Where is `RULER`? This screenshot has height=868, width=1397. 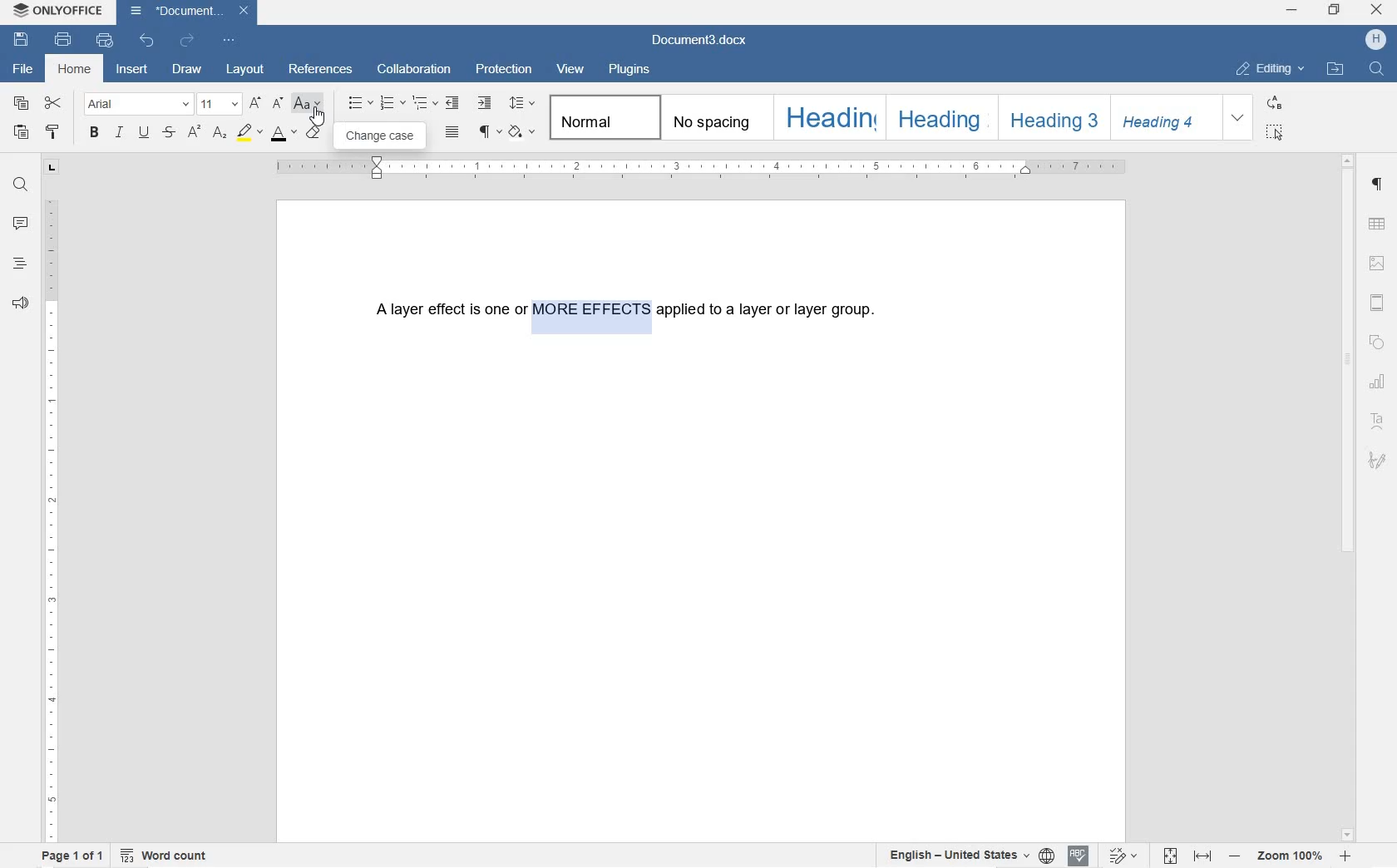 RULER is located at coordinates (51, 518).